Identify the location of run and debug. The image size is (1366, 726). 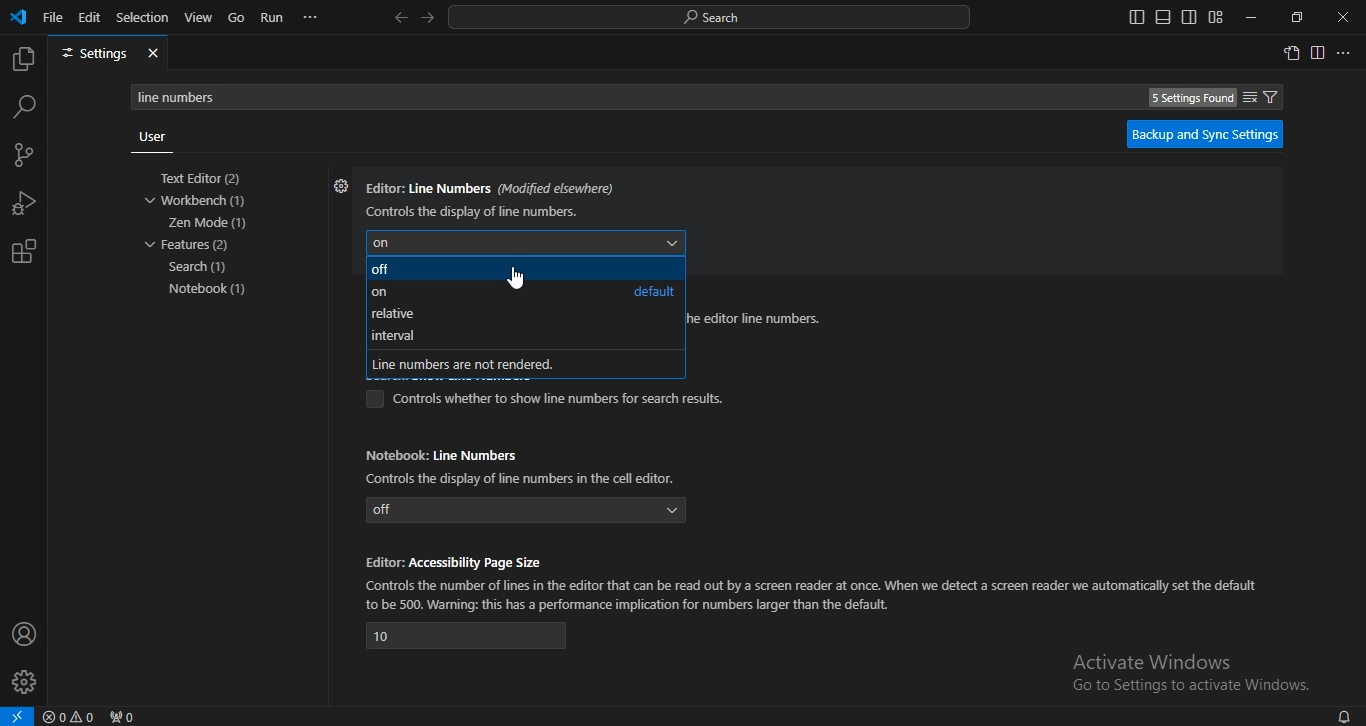
(24, 206).